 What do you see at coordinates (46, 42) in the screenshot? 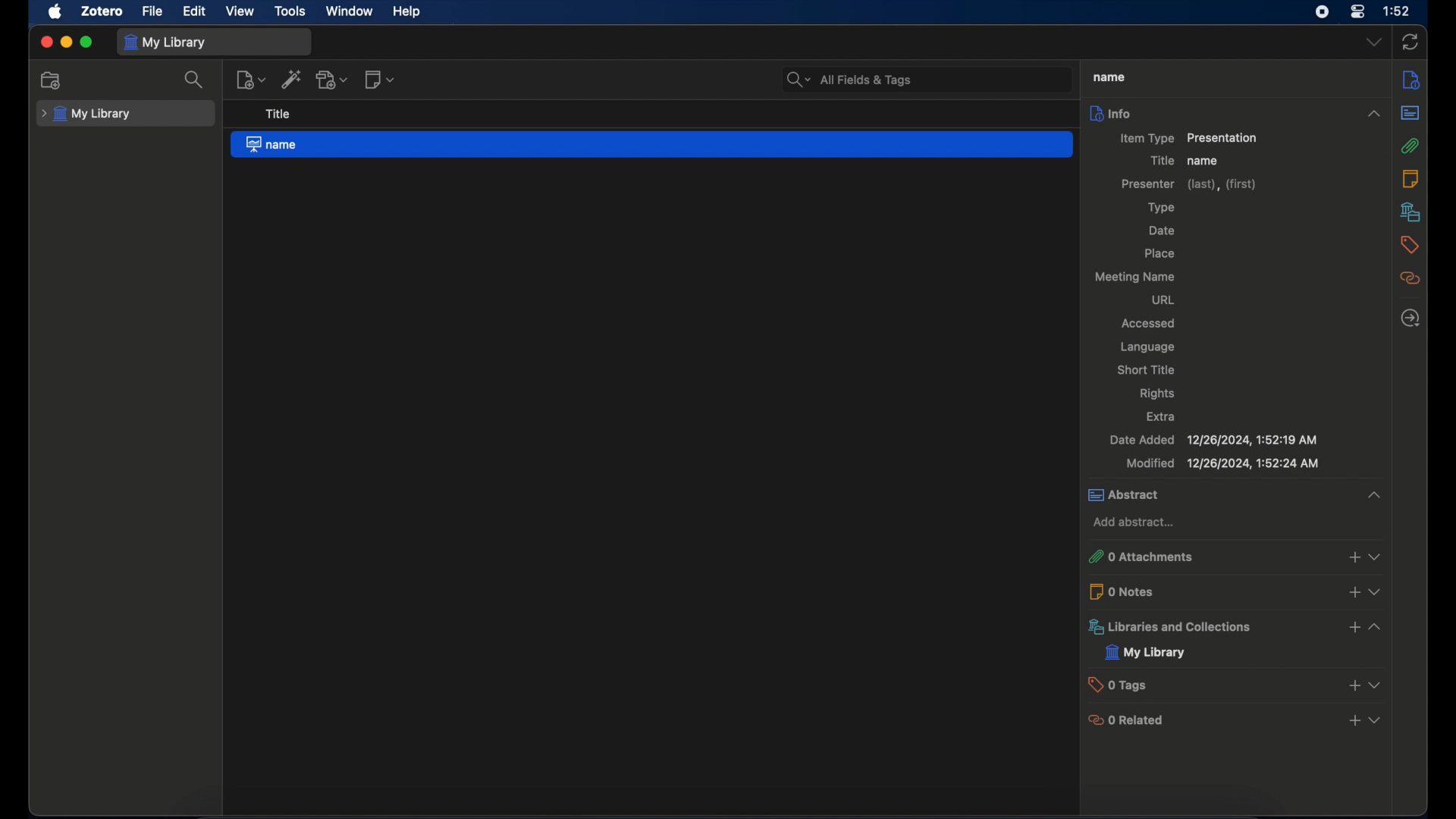
I see `close` at bounding box center [46, 42].